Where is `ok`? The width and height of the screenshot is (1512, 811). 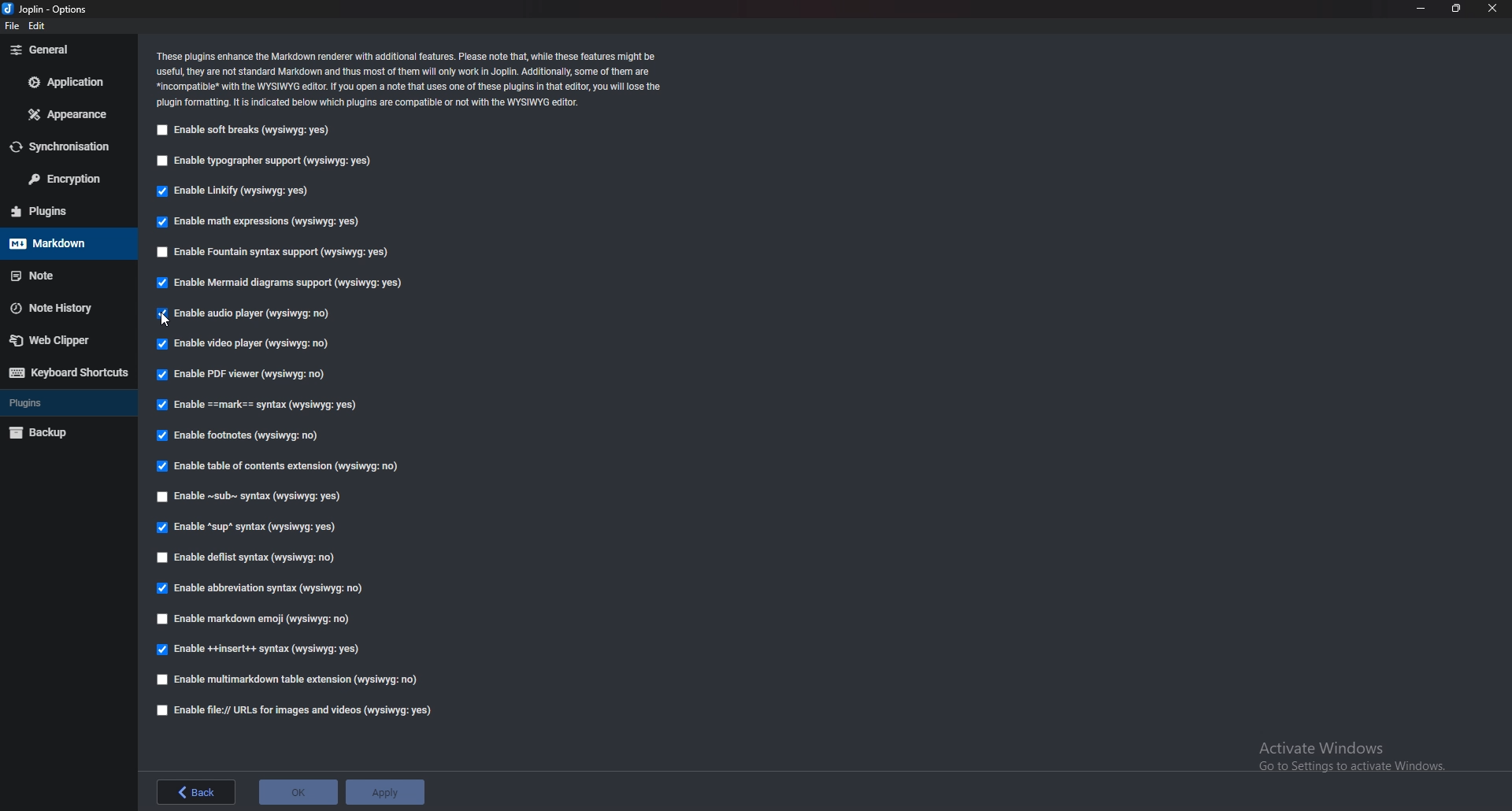 ok is located at coordinates (297, 791).